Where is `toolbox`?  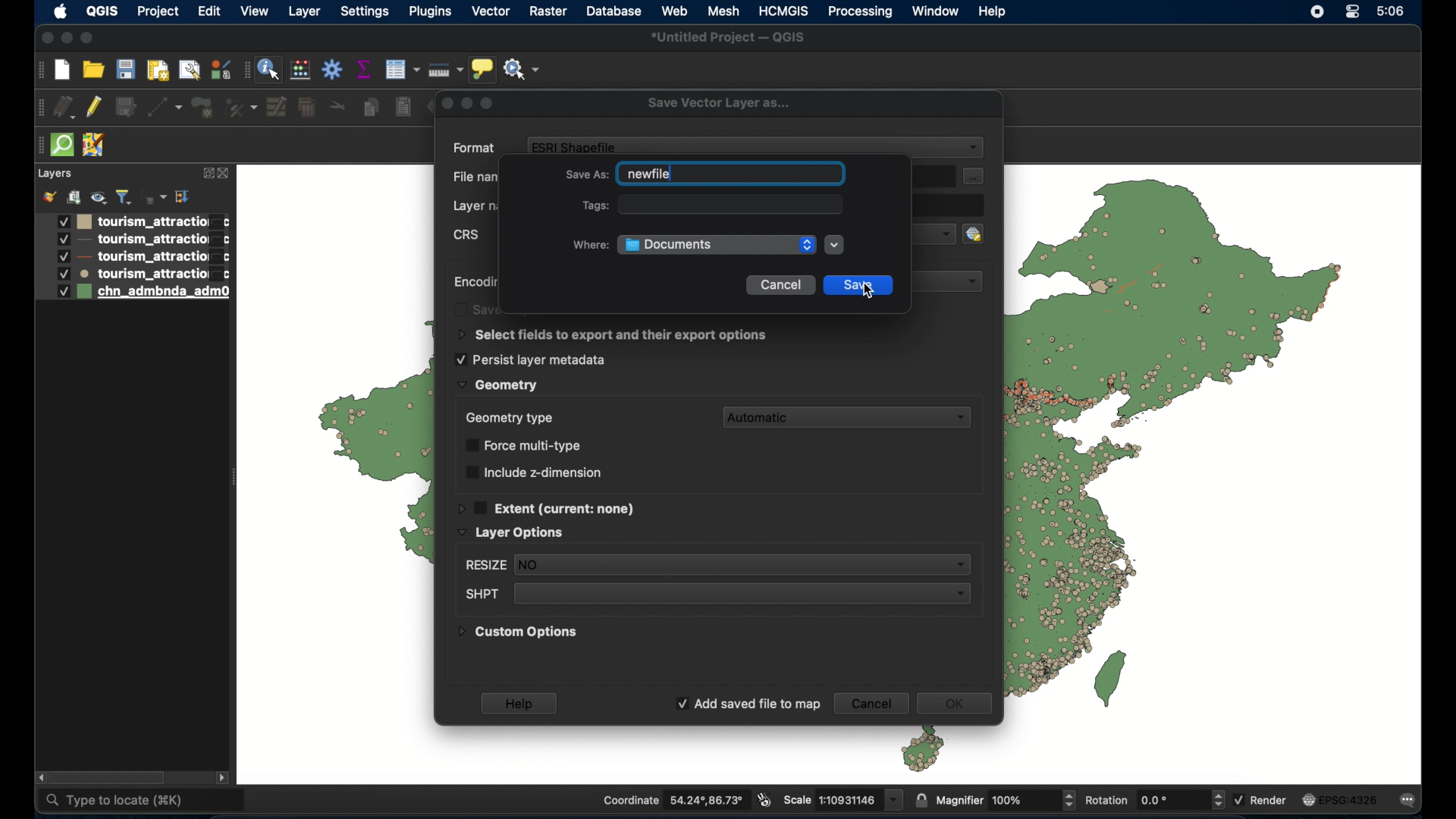
toolbox is located at coordinates (333, 71).